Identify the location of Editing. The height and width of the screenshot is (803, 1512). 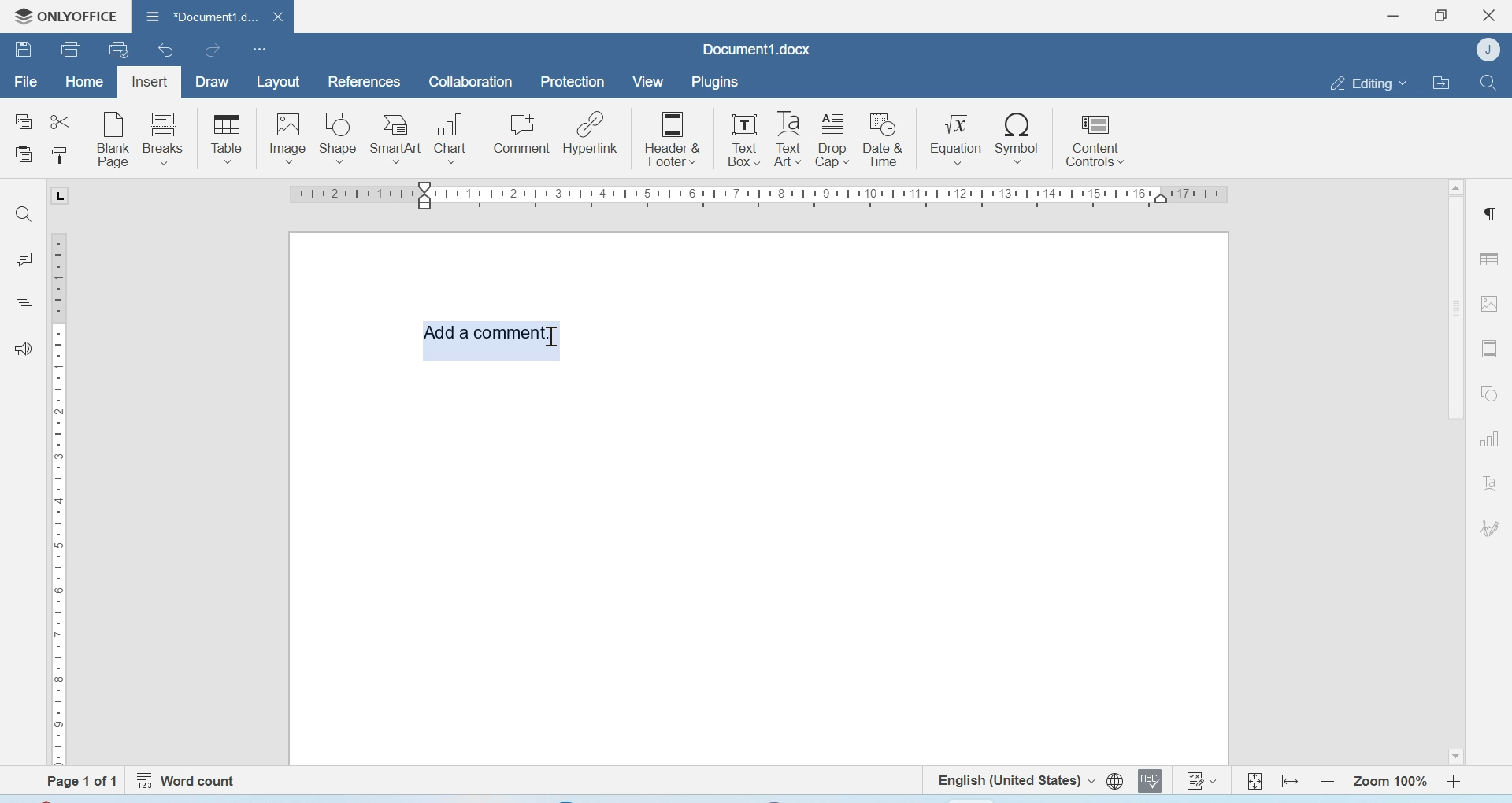
(1367, 83).